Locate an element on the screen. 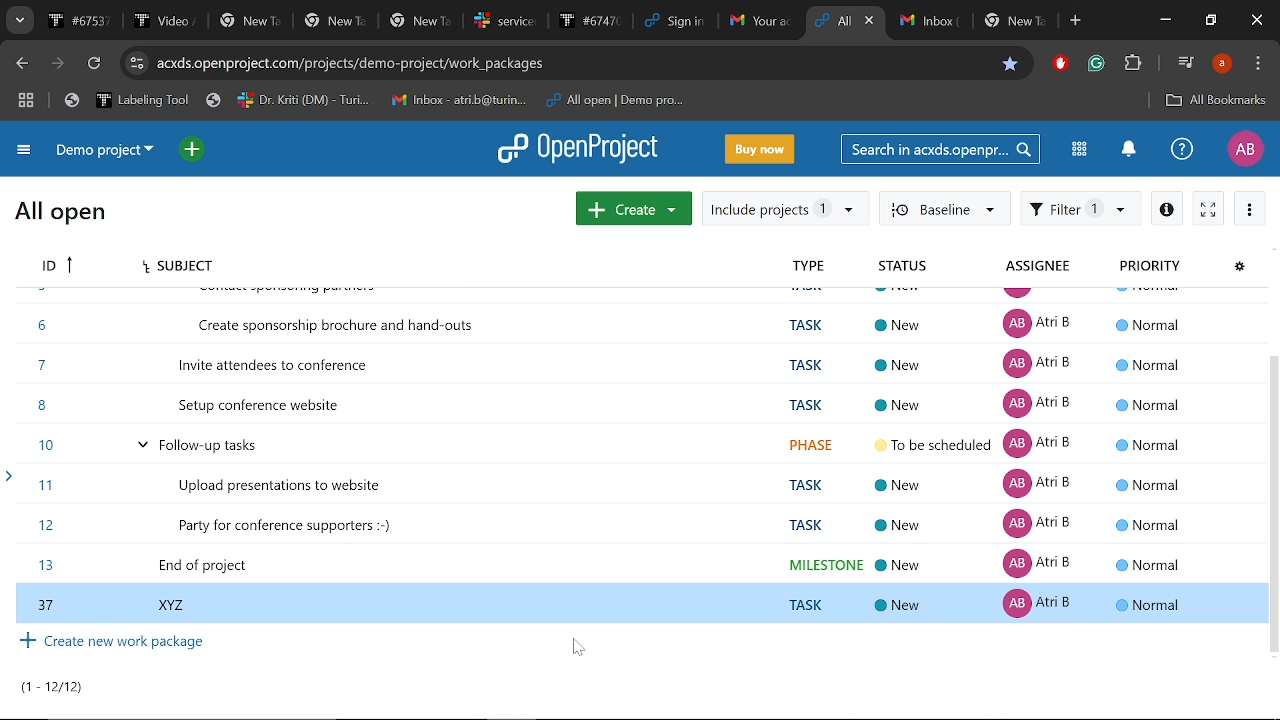 The height and width of the screenshot is (720, 1280). subject is located at coordinates (183, 263).